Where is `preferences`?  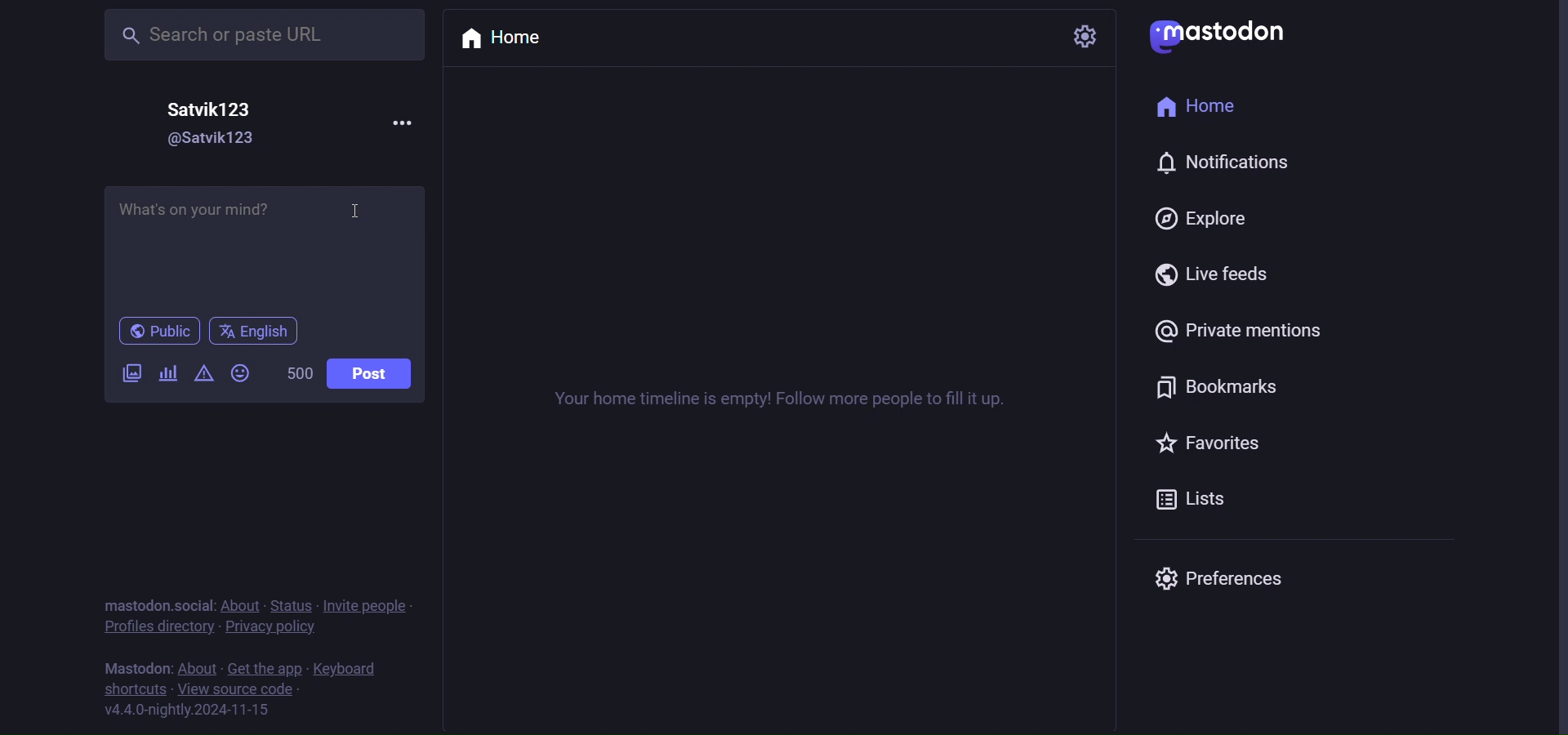
preferences is located at coordinates (1218, 576).